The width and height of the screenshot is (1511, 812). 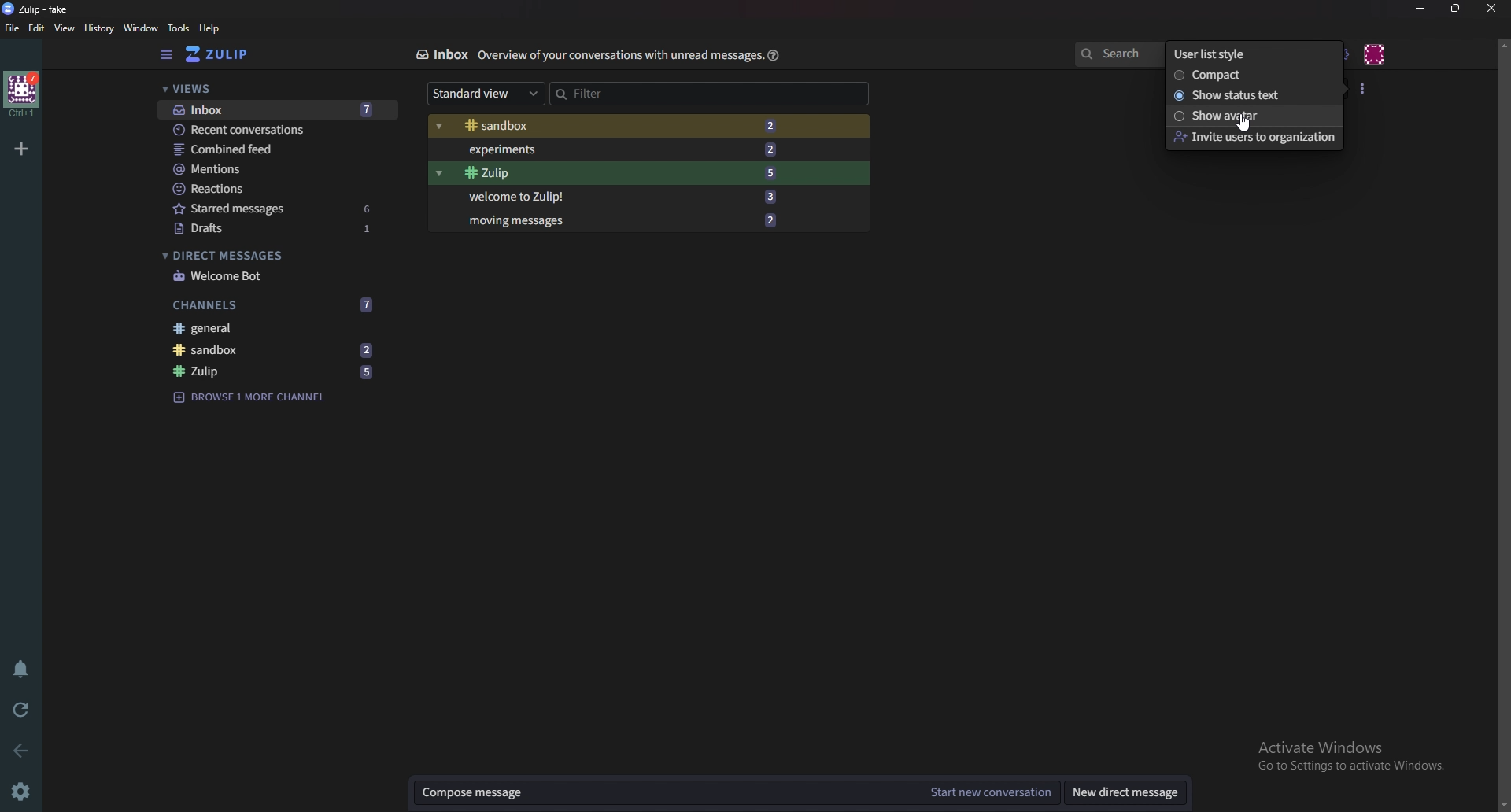 What do you see at coordinates (619, 56) in the screenshot?
I see `Info` at bounding box center [619, 56].